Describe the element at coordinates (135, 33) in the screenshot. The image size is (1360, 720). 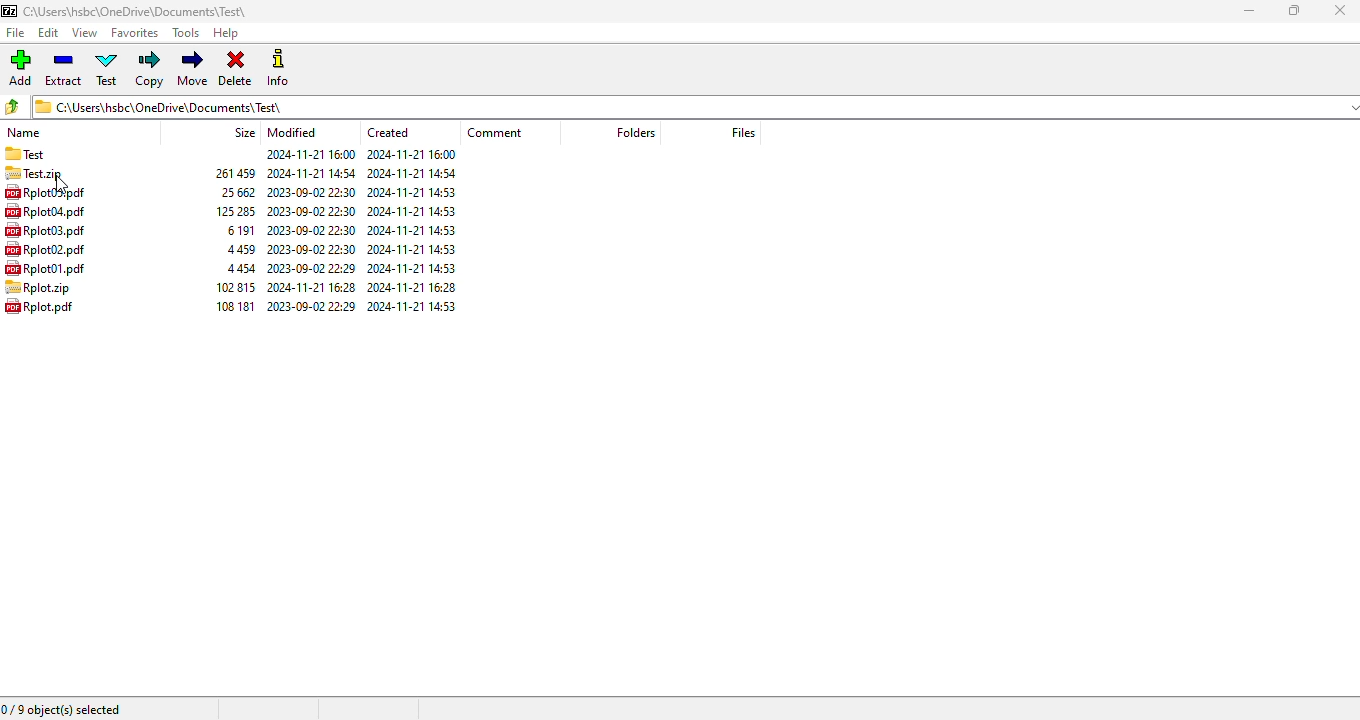
I see `favorites` at that location.